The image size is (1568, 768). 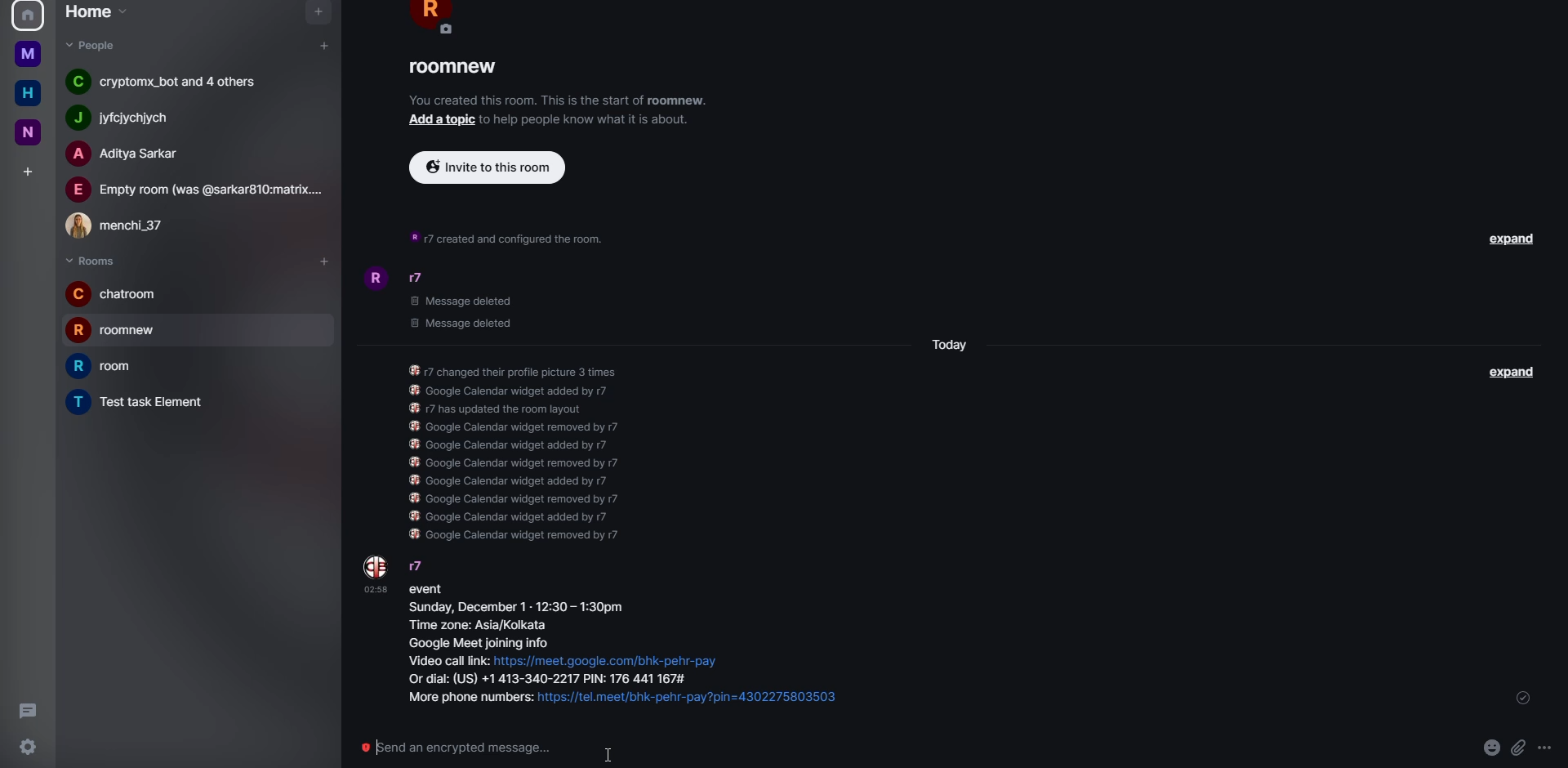 I want to click on navigator, so click(x=316, y=13).